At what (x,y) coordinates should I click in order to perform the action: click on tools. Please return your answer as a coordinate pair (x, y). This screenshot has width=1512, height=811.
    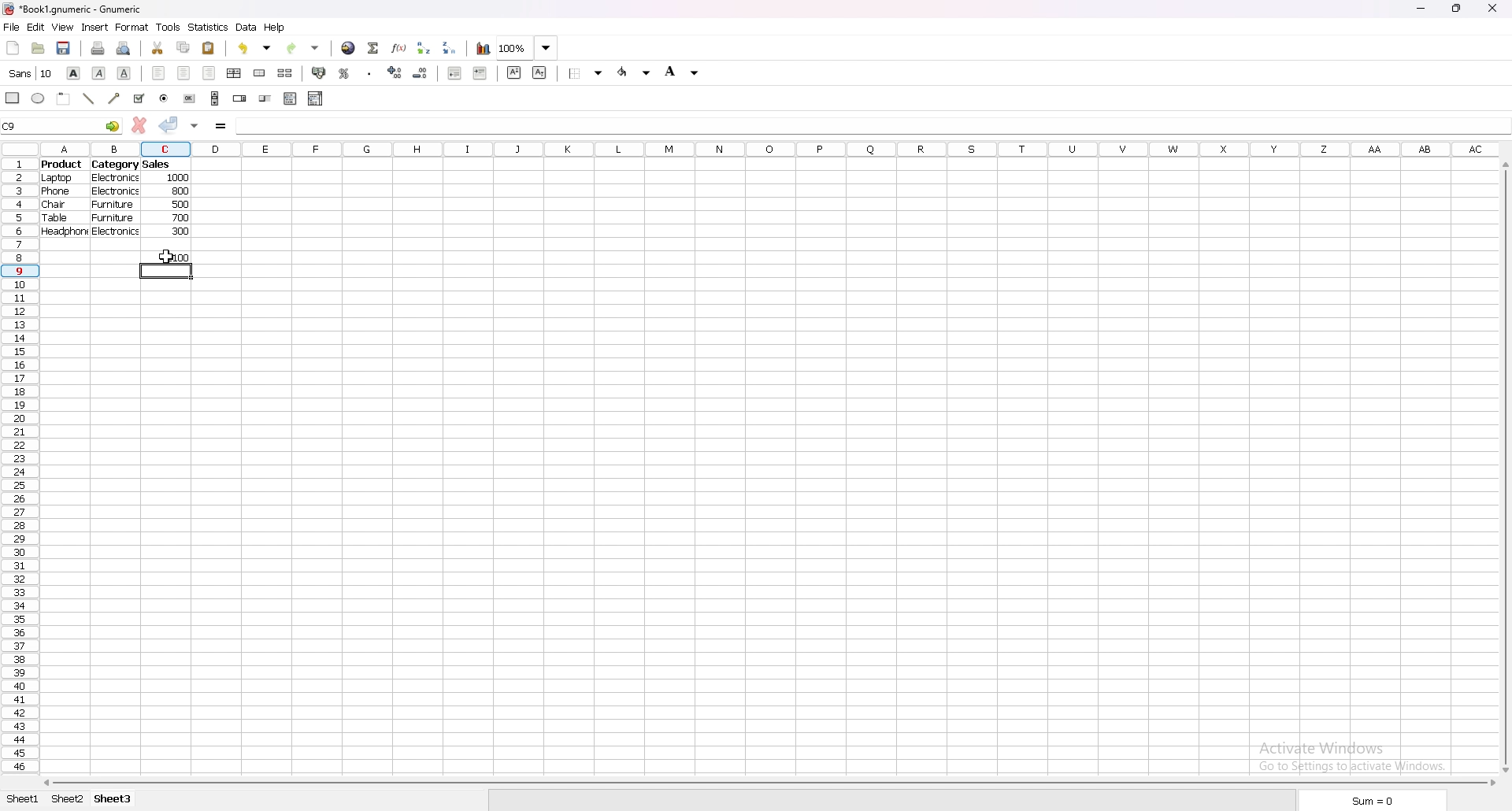
    Looking at the image, I should click on (169, 27).